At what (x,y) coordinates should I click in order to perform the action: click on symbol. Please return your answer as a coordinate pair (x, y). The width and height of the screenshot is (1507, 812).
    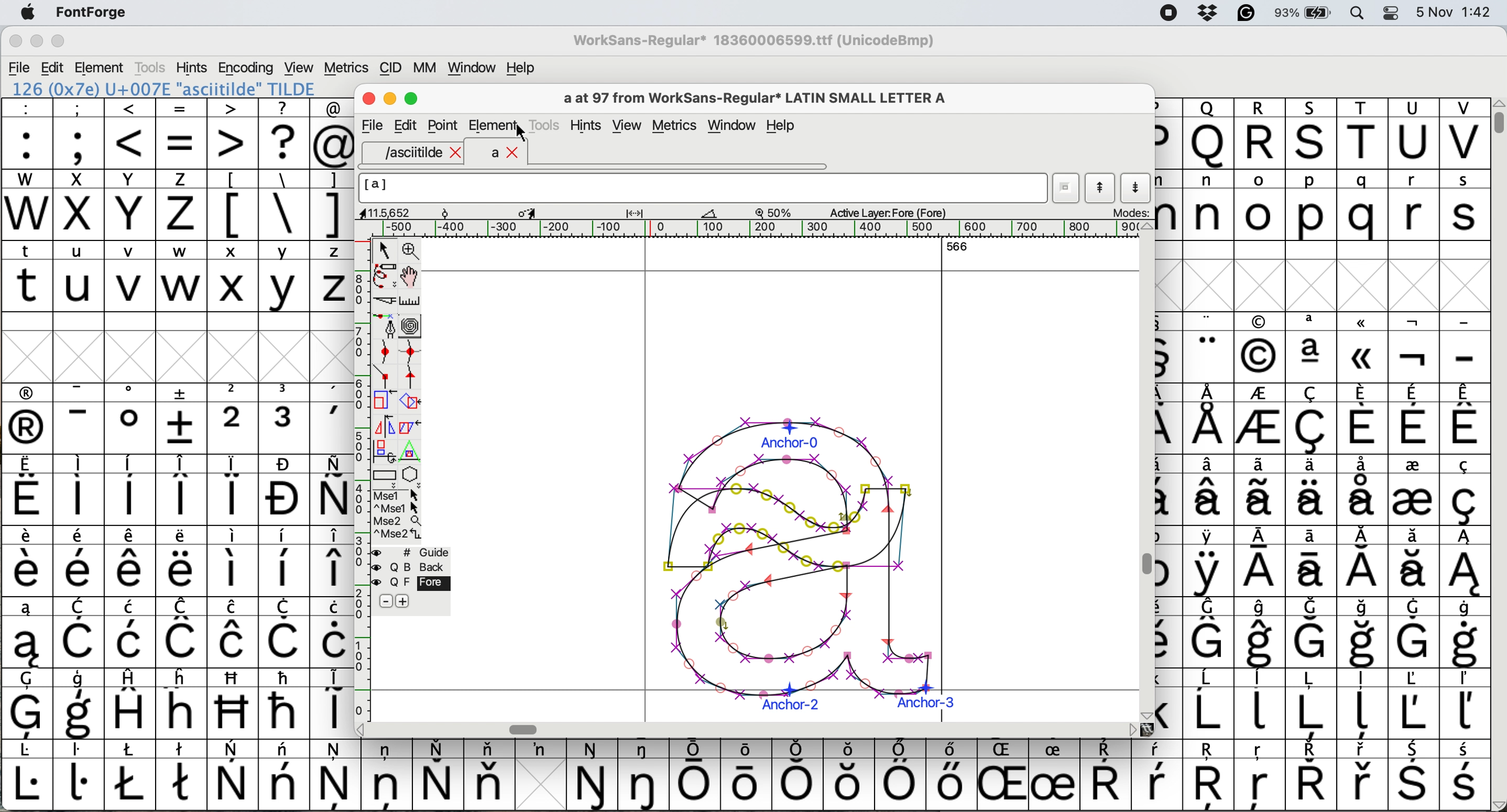
    Looking at the image, I should click on (1364, 488).